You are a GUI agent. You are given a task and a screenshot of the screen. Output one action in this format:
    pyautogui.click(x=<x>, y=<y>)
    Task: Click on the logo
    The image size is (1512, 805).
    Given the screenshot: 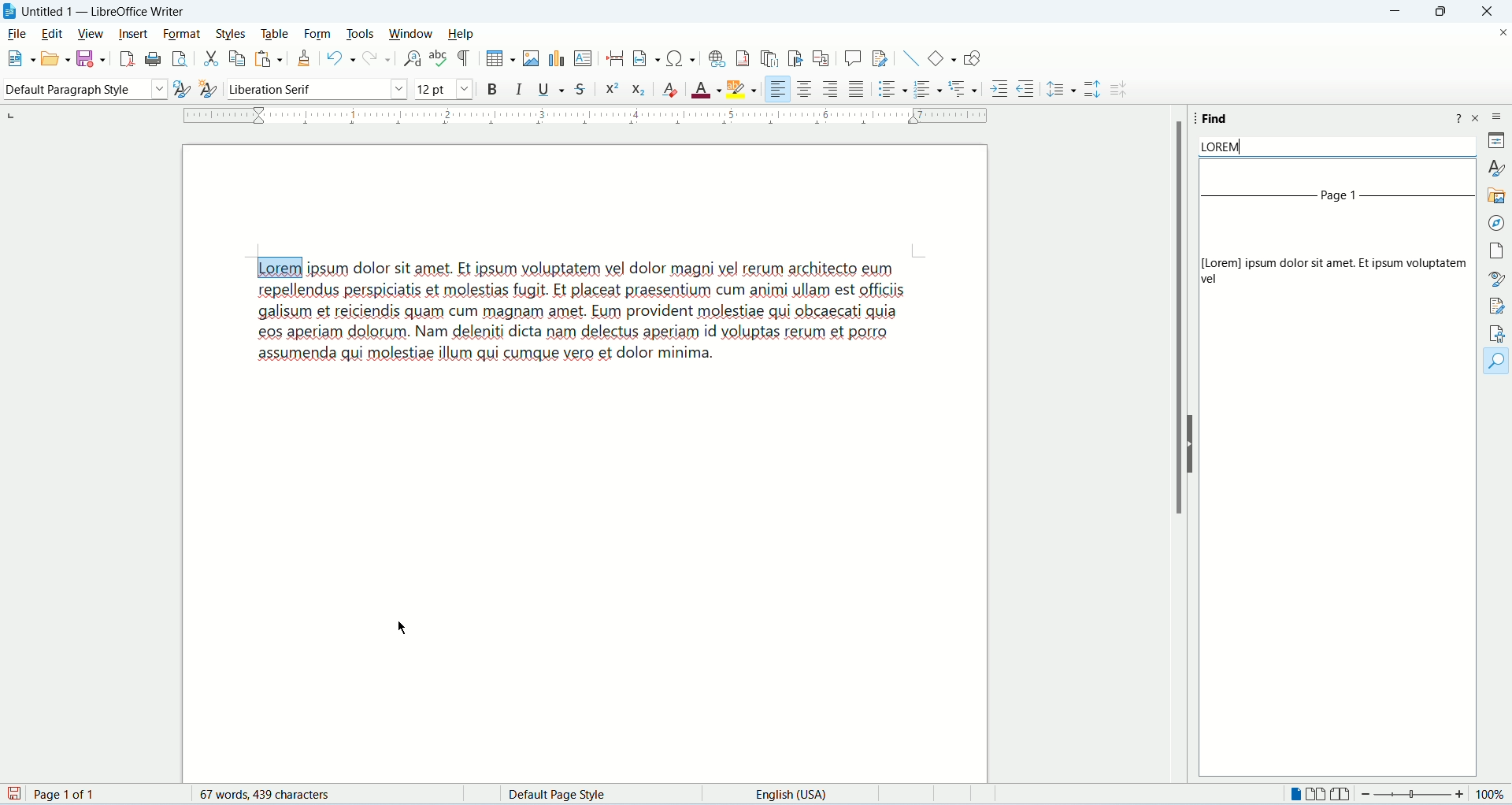 What is the action you would take?
    pyautogui.click(x=9, y=12)
    